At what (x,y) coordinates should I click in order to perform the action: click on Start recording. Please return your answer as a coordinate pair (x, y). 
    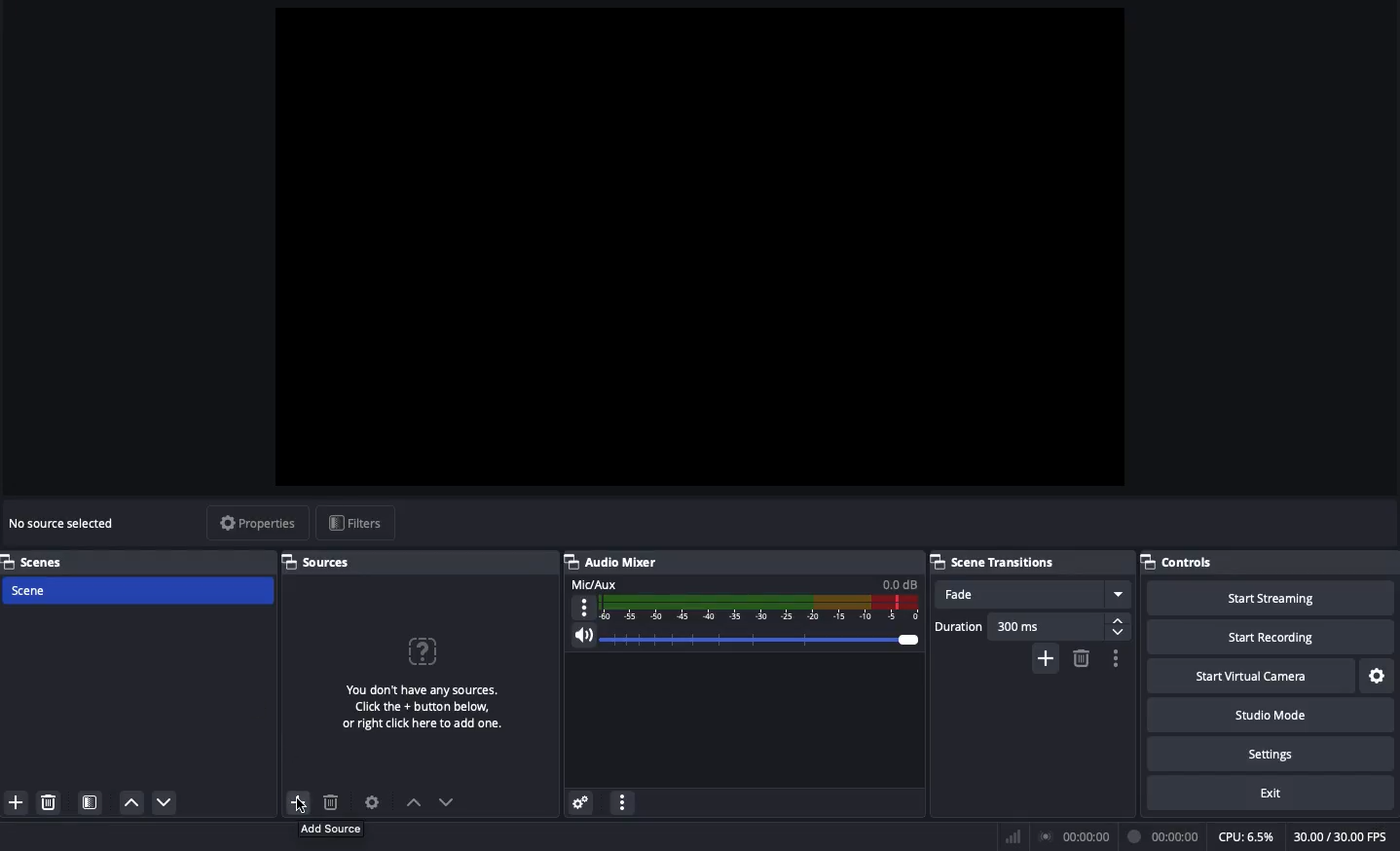
    Looking at the image, I should click on (1275, 631).